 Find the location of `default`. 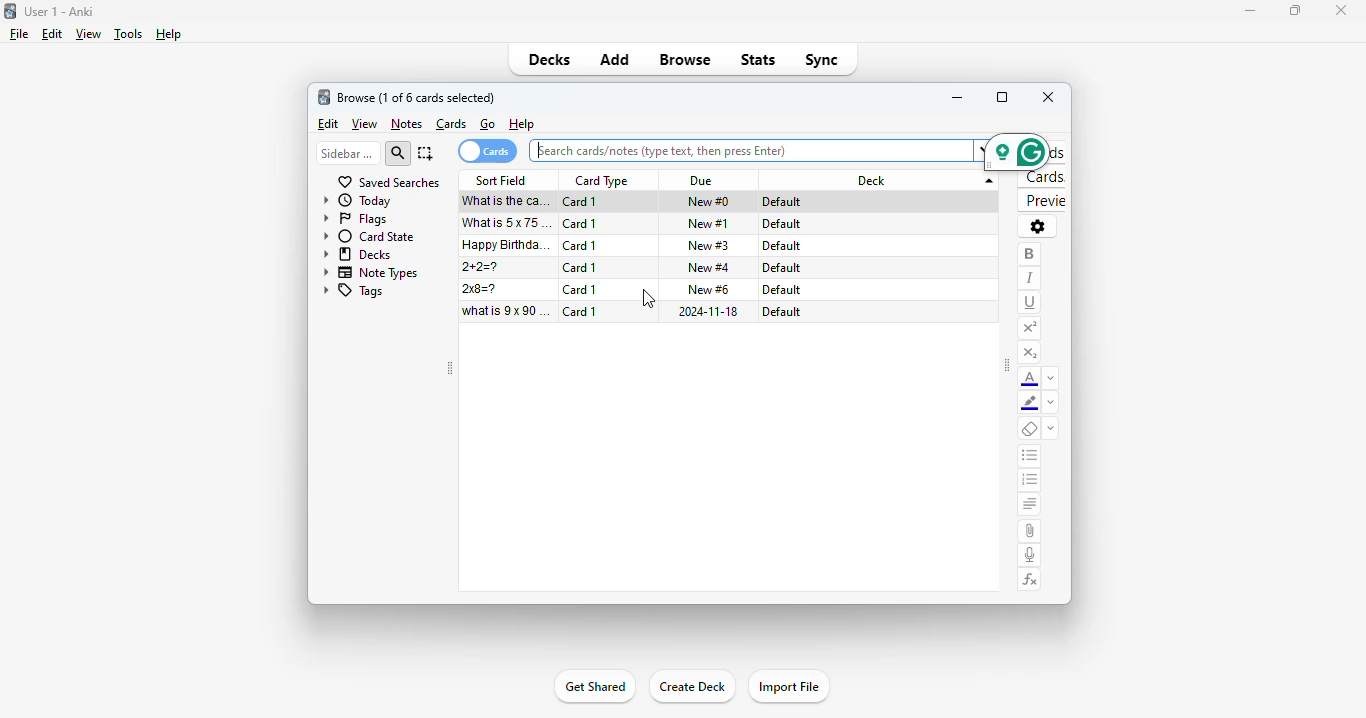

default is located at coordinates (781, 224).